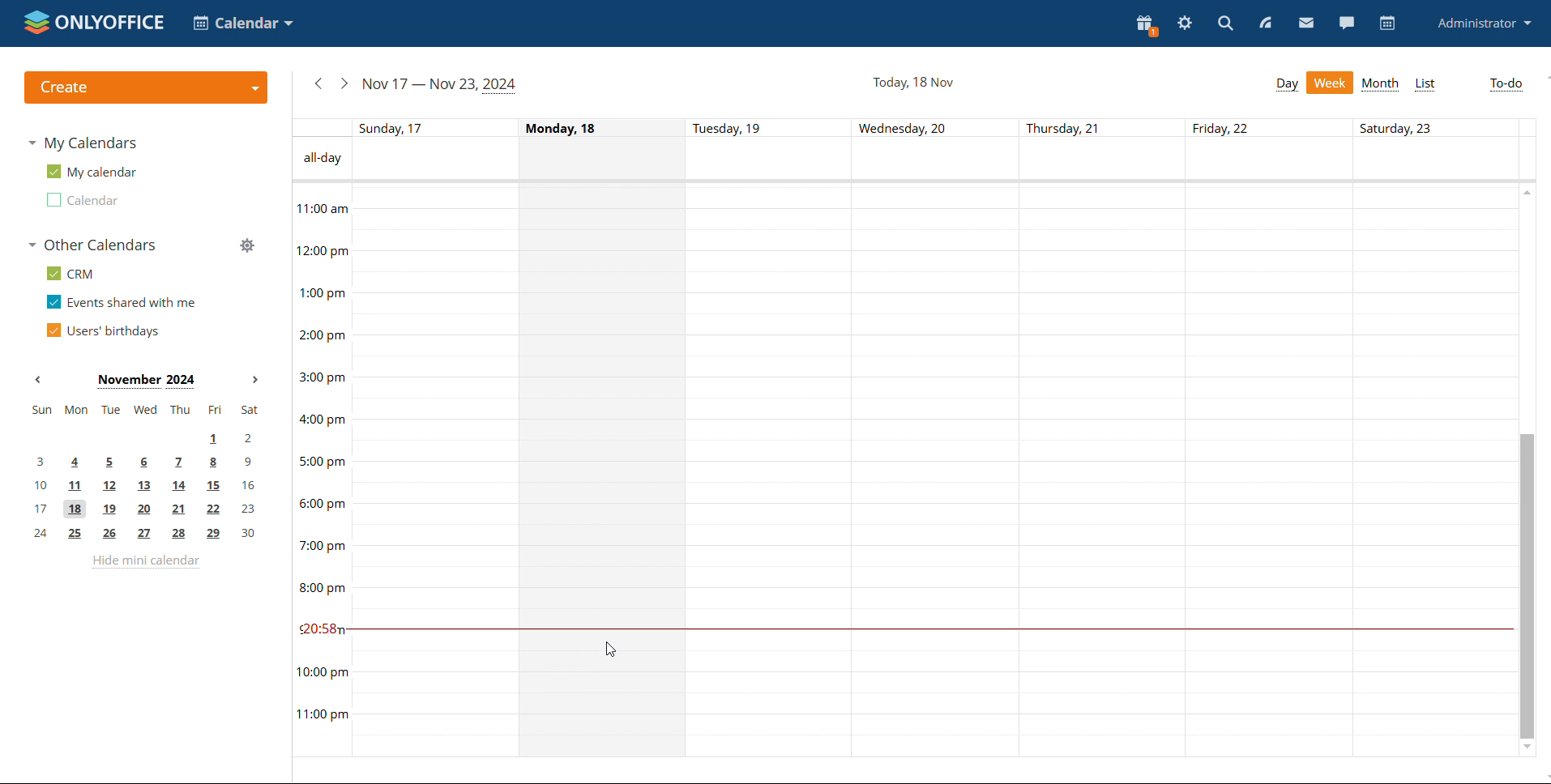 The image size is (1551, 784). I want to click on feed, so click(1265, 22).